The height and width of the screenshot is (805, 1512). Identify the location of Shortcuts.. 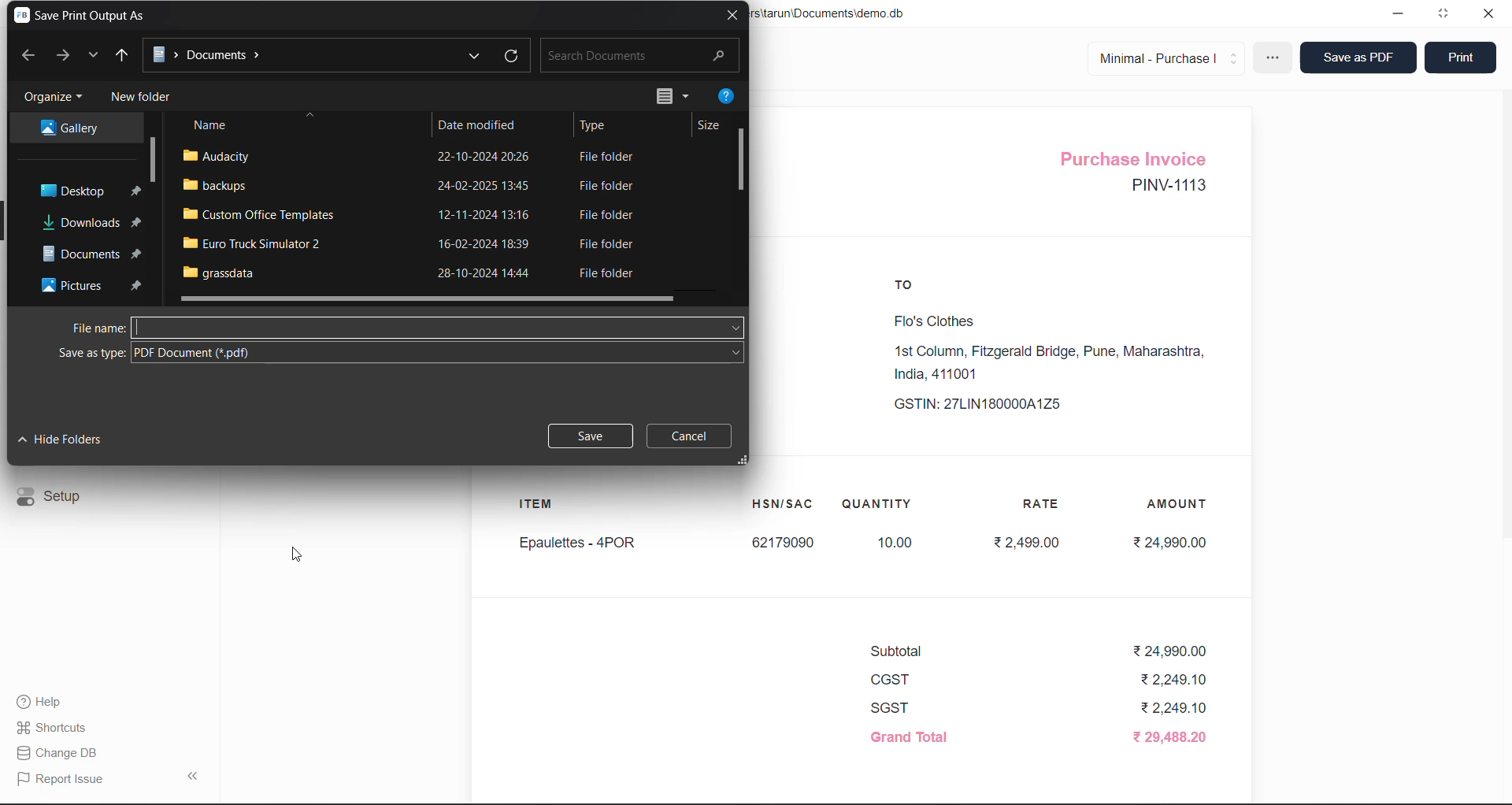
(57, 726).